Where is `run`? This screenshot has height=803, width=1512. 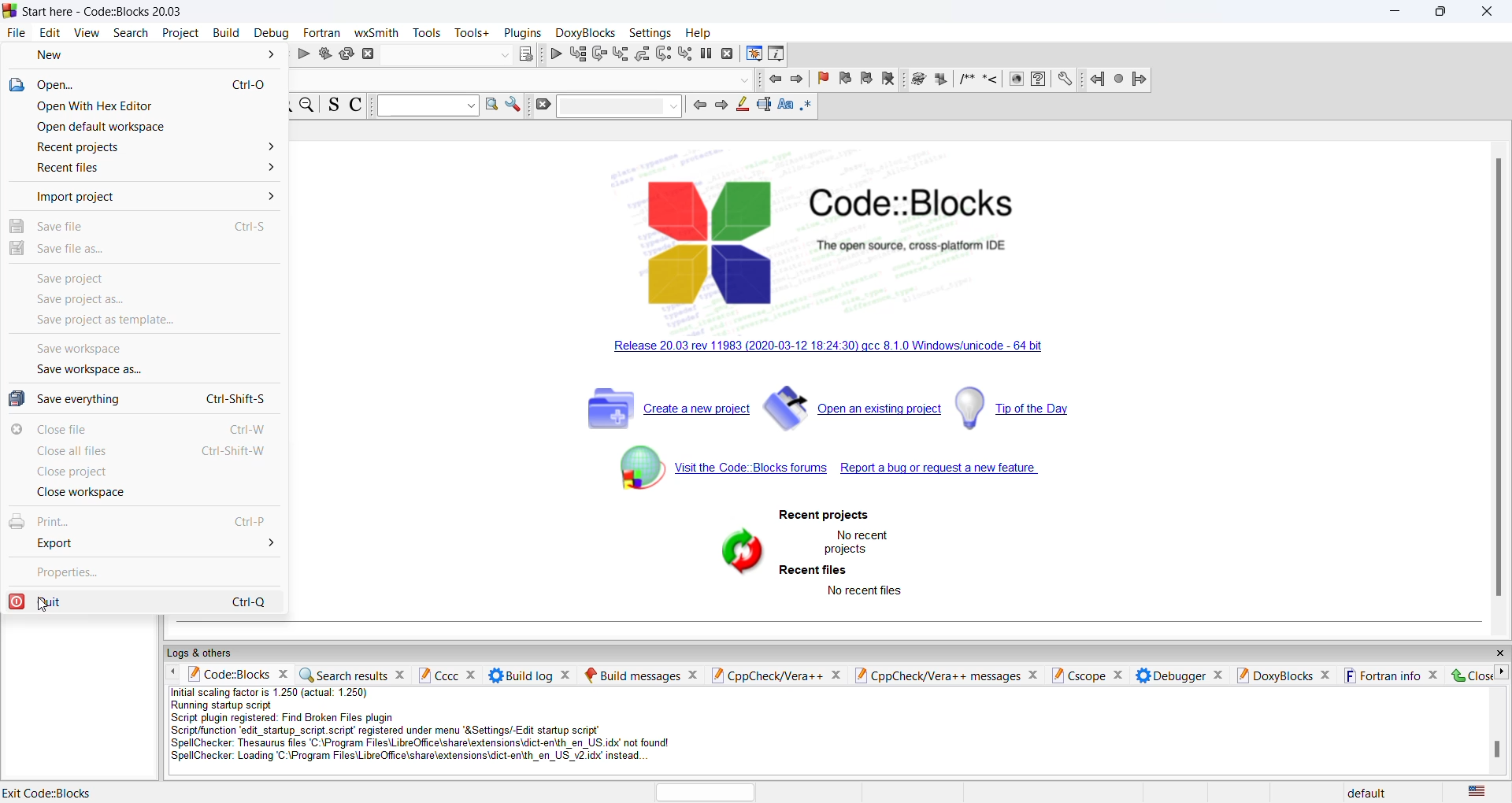
run is located at coordinates (939, 80).